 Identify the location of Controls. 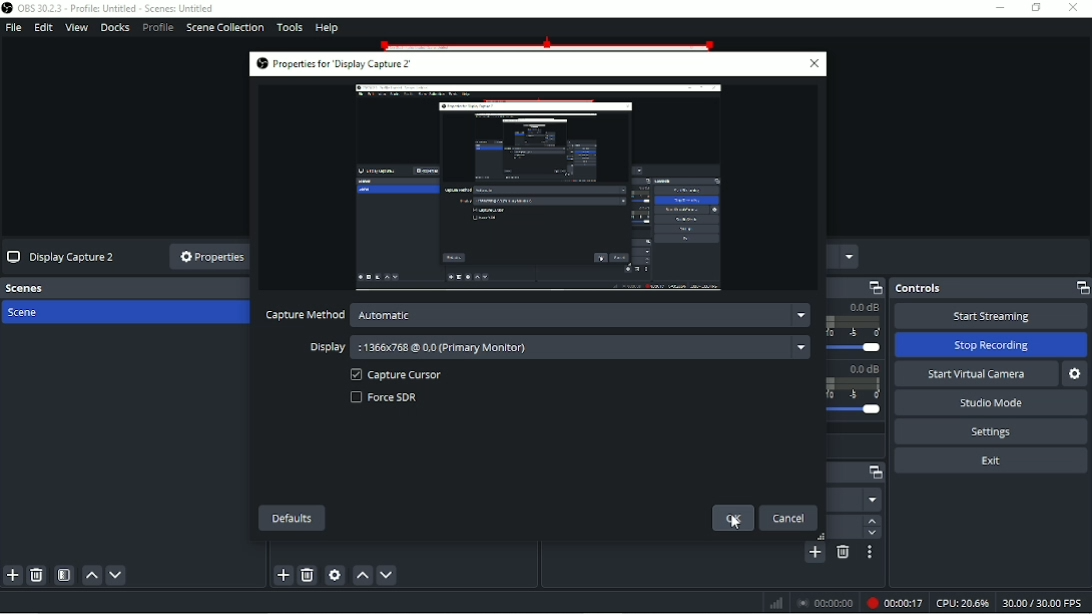
(990, 288).